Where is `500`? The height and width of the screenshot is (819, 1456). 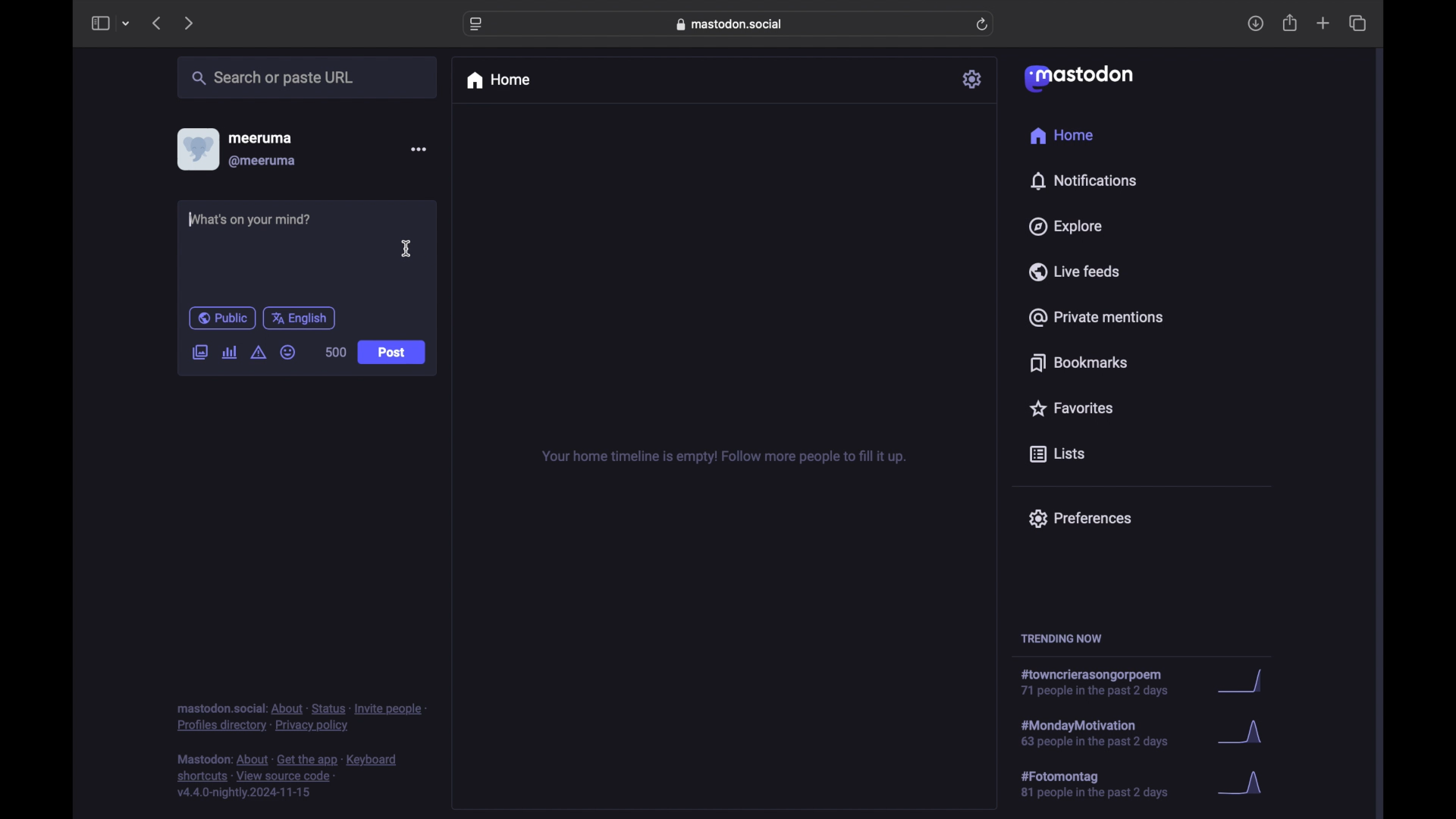
500 is located at coordinates (335, 352).